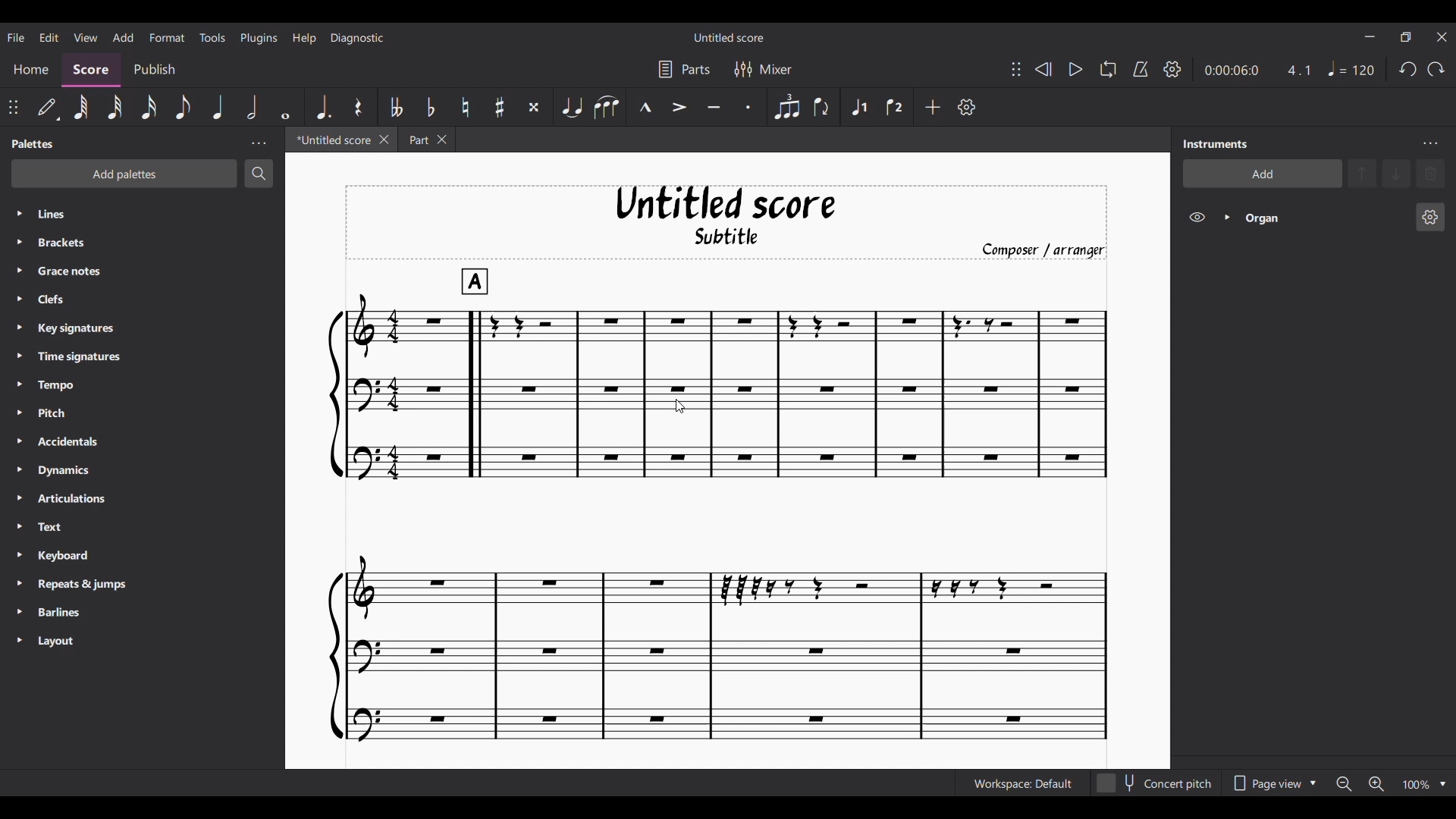 The image size is (1456, 819). What do you see at coordinates (217, 106) in the screenshot?
I see `Quarter note` at bounding box center [217, 106].